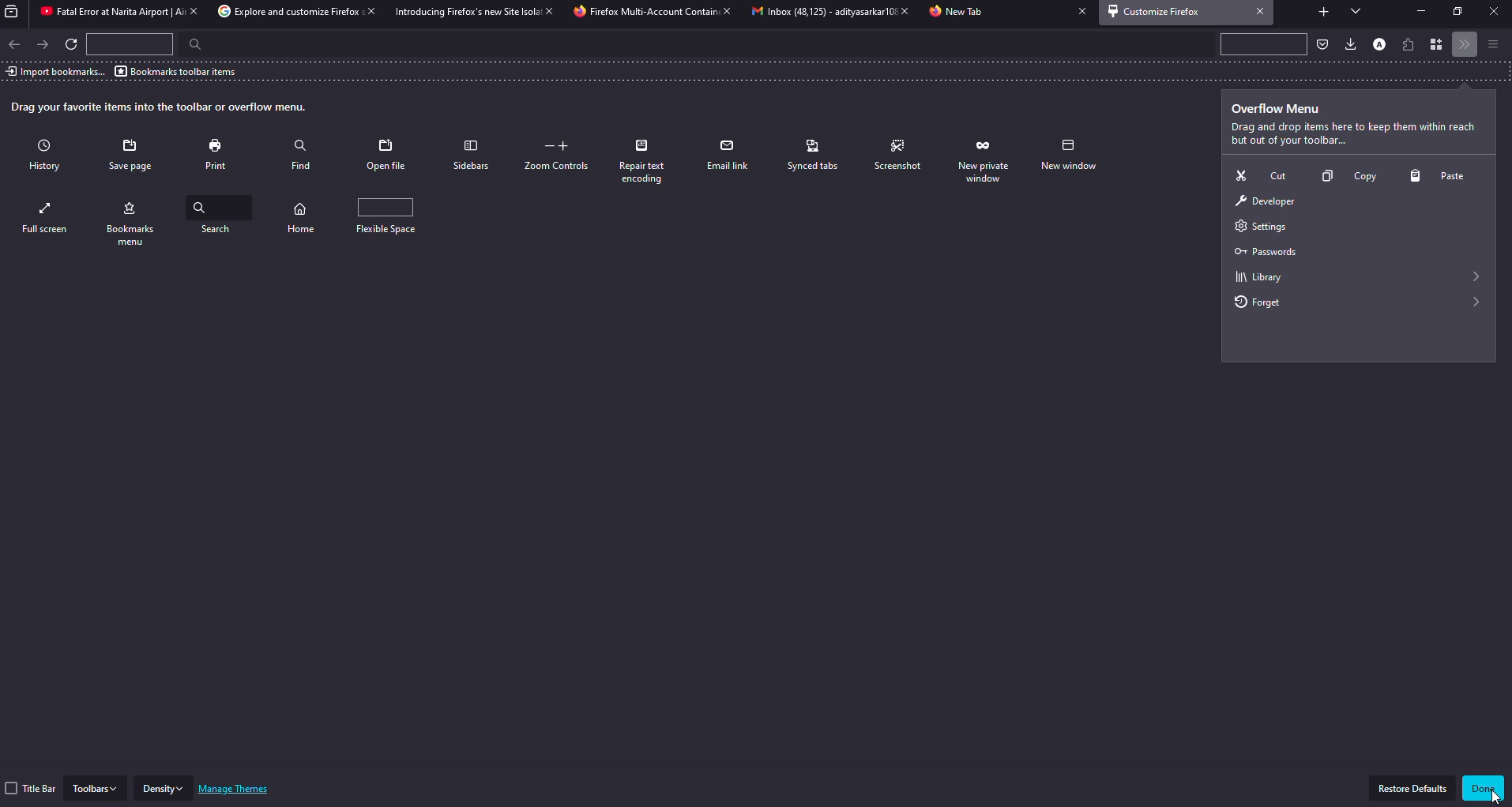 This screenshot has width=1512, height=807. What do you see at coordinates (96, 787) in the screenshot?
I see `toolbars` at bounding box center [96, 787].